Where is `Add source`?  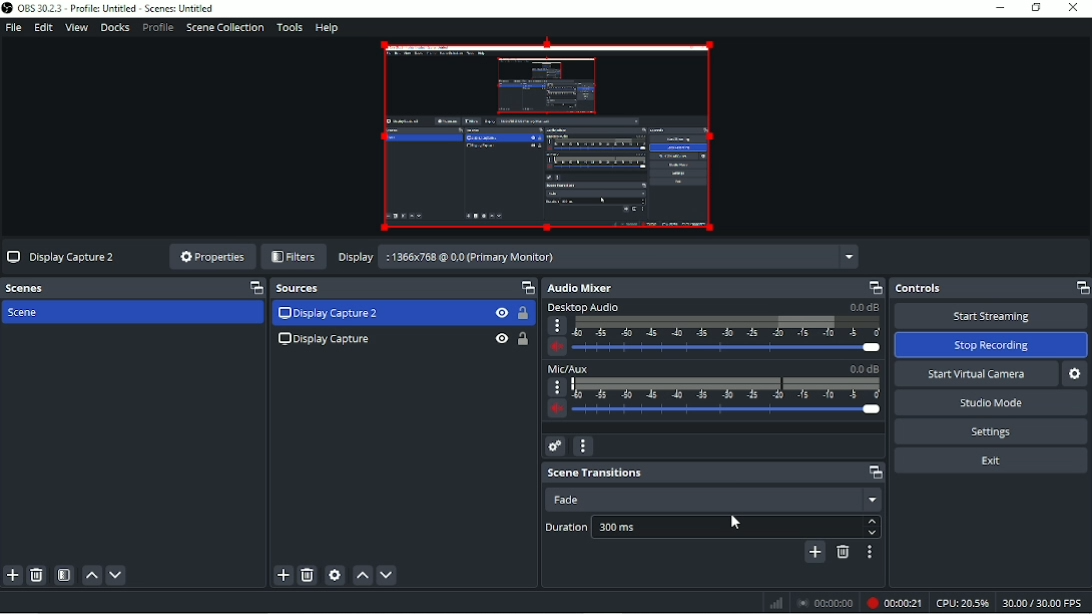
Add source is located at coordinates (283, 576).